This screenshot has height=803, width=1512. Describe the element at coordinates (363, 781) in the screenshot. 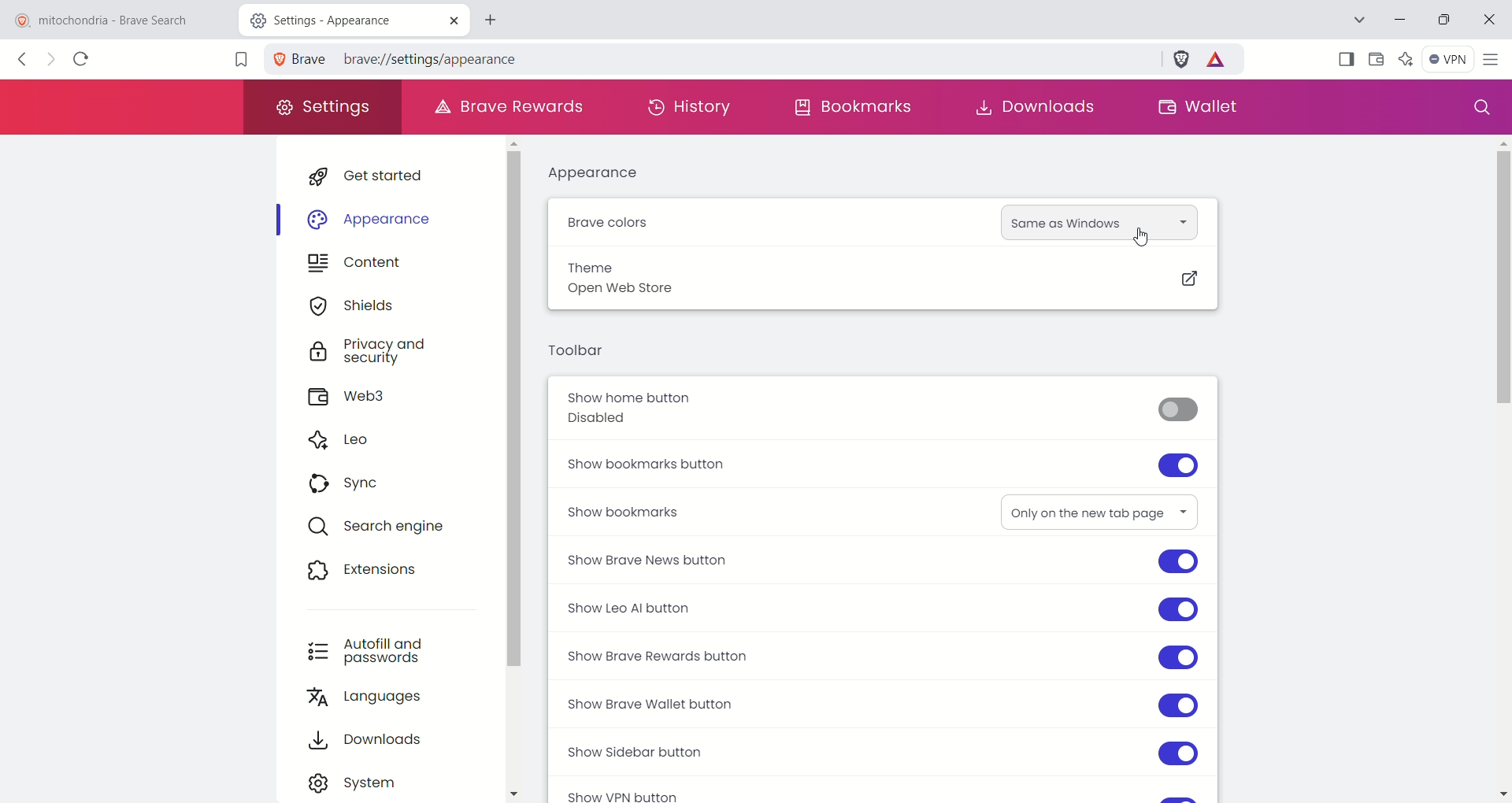

I see `system` at that location.